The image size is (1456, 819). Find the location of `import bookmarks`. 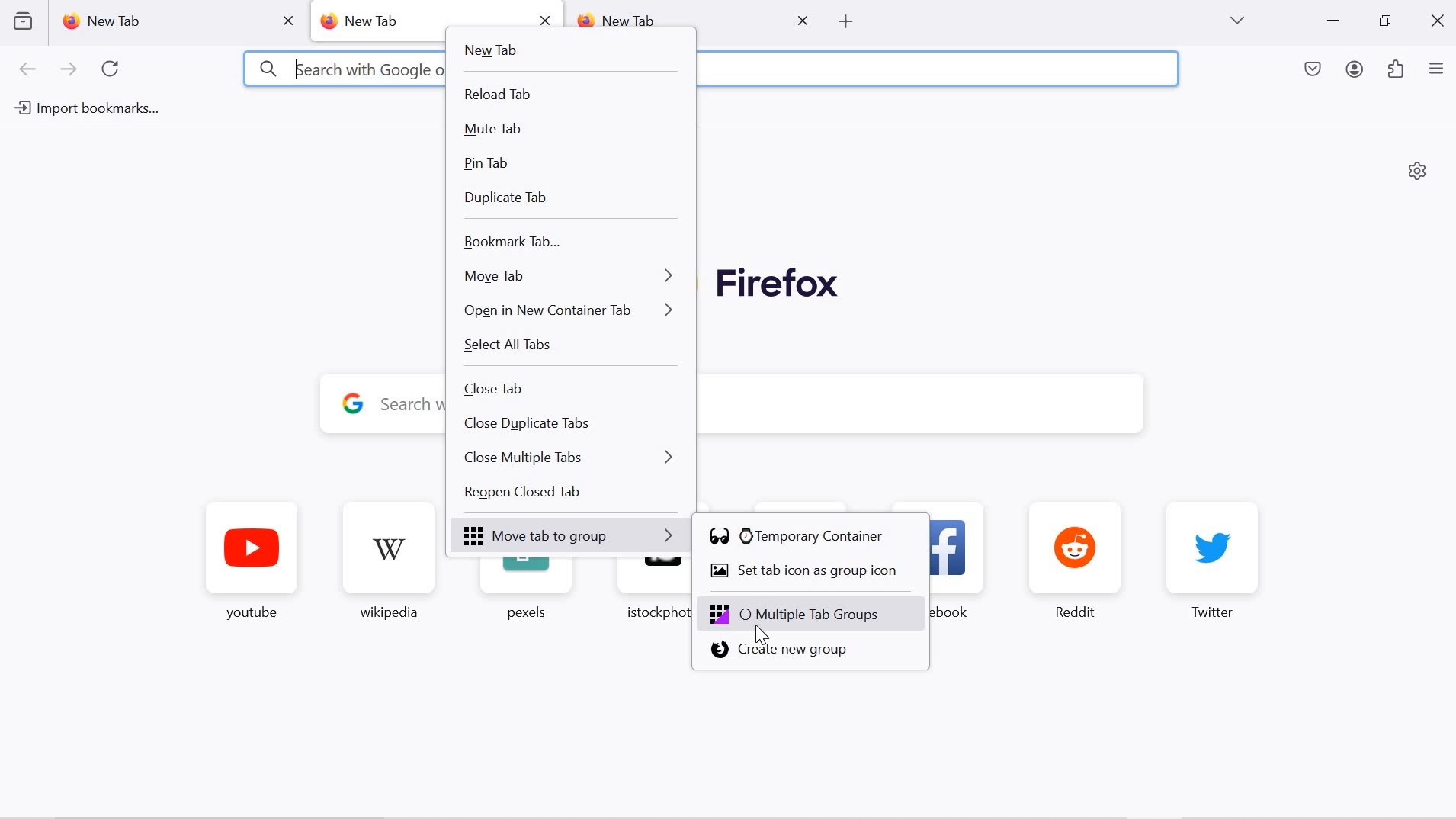

import bookmarks is located at coordinates (84, 109).